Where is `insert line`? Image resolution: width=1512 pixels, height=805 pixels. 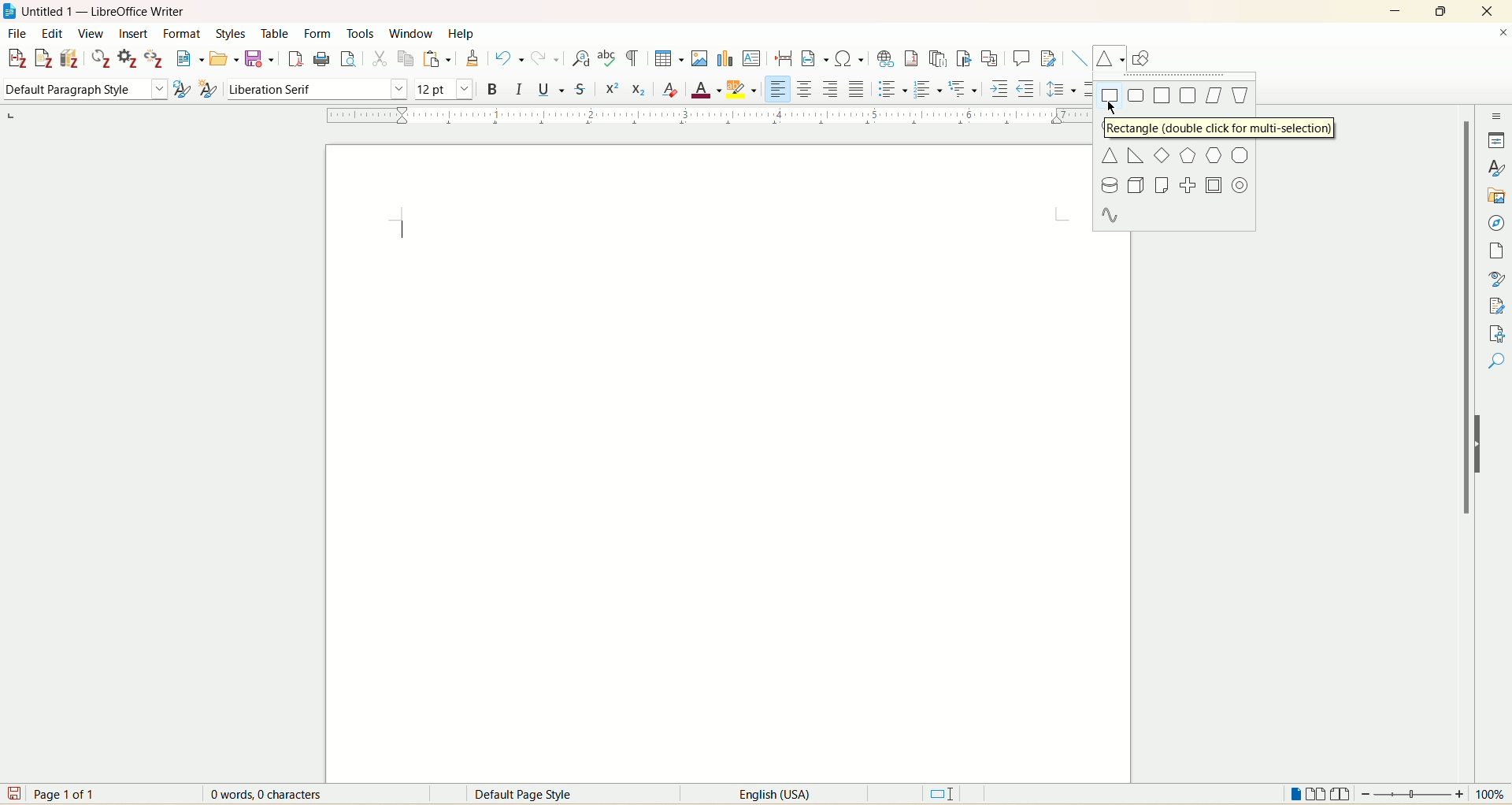
insert line is located at coordinates (1079, 58).